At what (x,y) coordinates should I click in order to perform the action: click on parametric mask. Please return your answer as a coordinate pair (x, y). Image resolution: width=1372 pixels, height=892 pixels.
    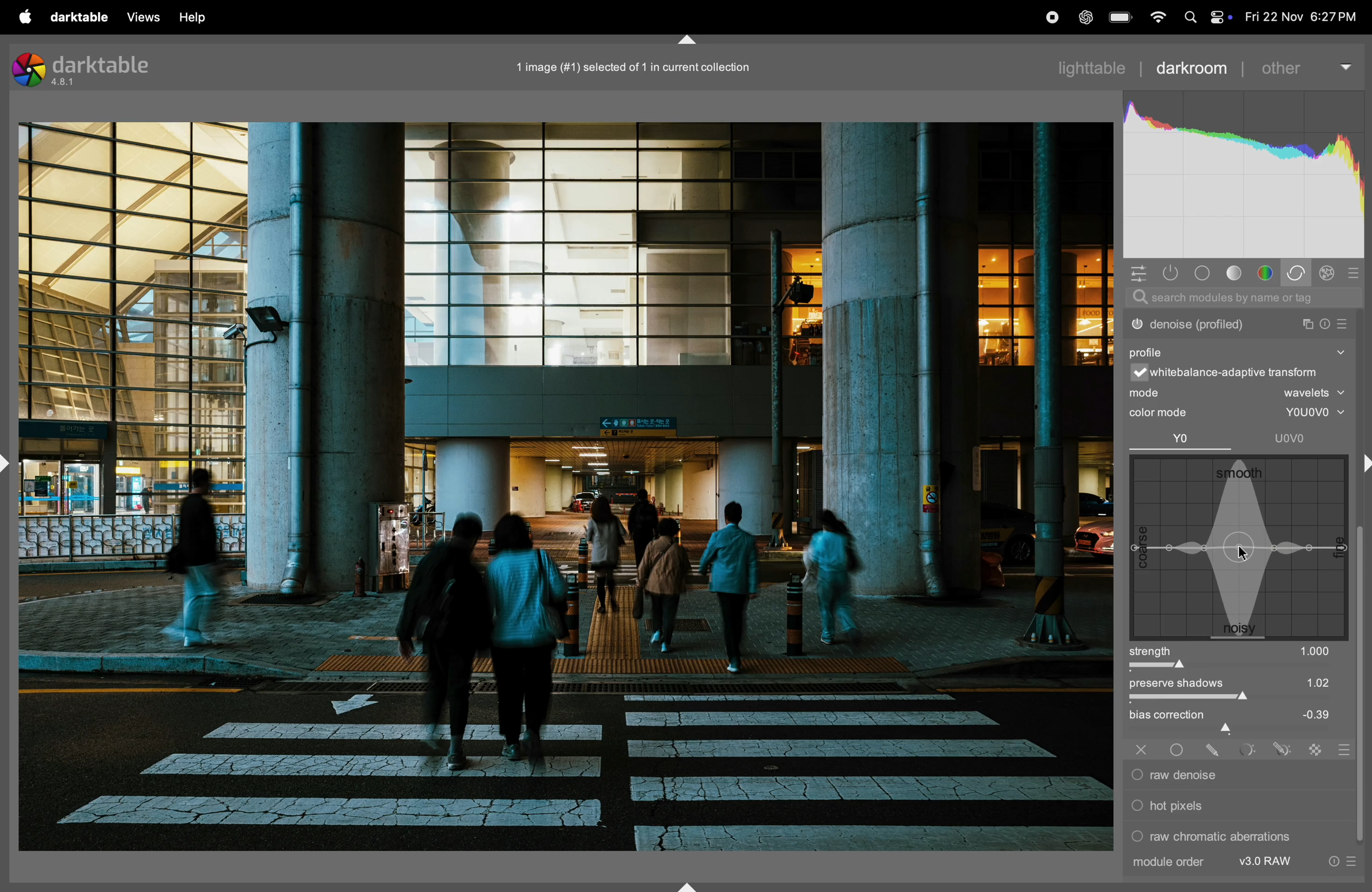
    Looking at the image, I should click on (1249, 750).